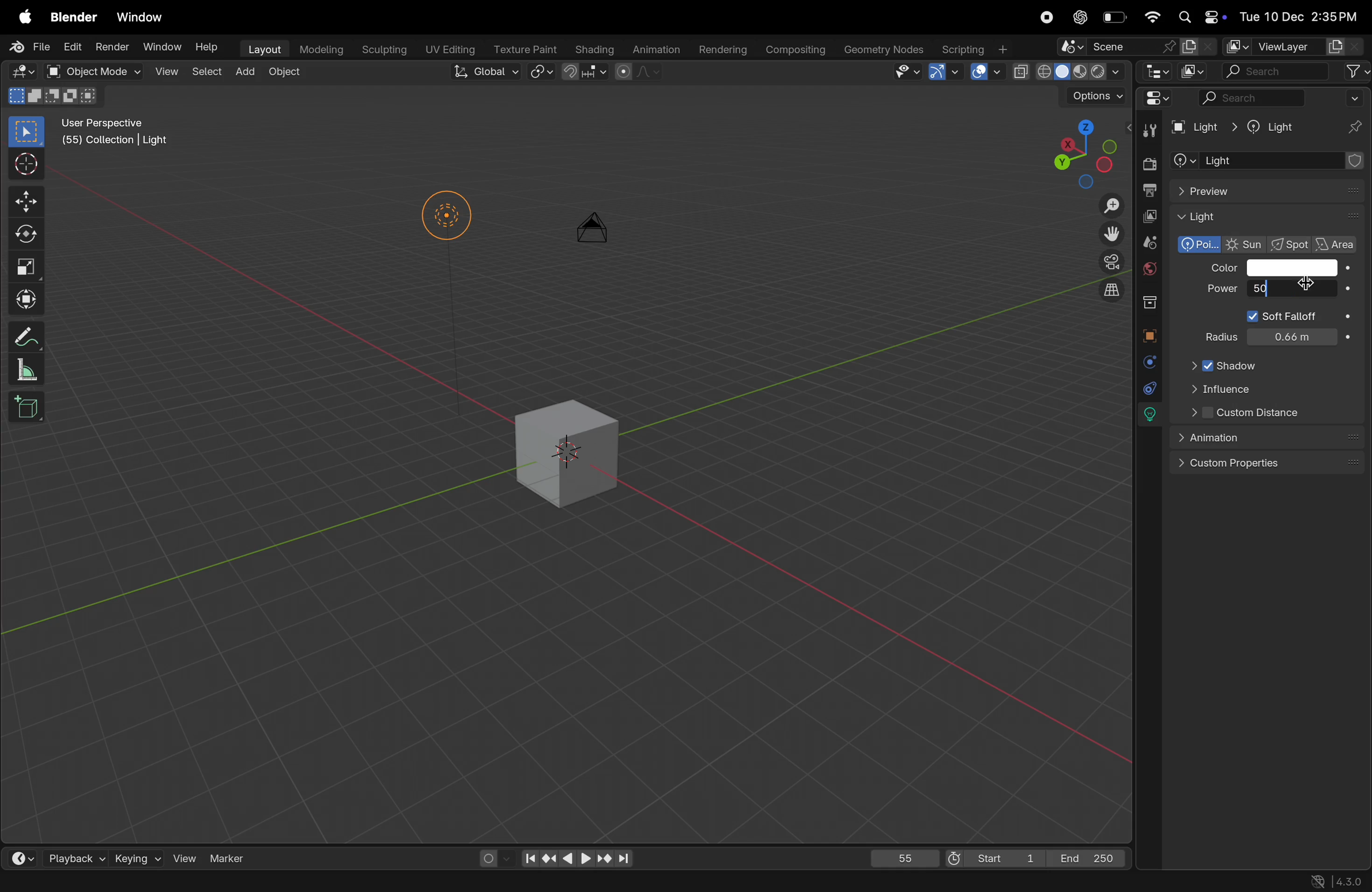 Image resolution: width=1372 pixels, height=892 pixels. What do you see at coordinates (1335, 880) in the screenshot?
I see `versions` at bounding box center [1335, 880].